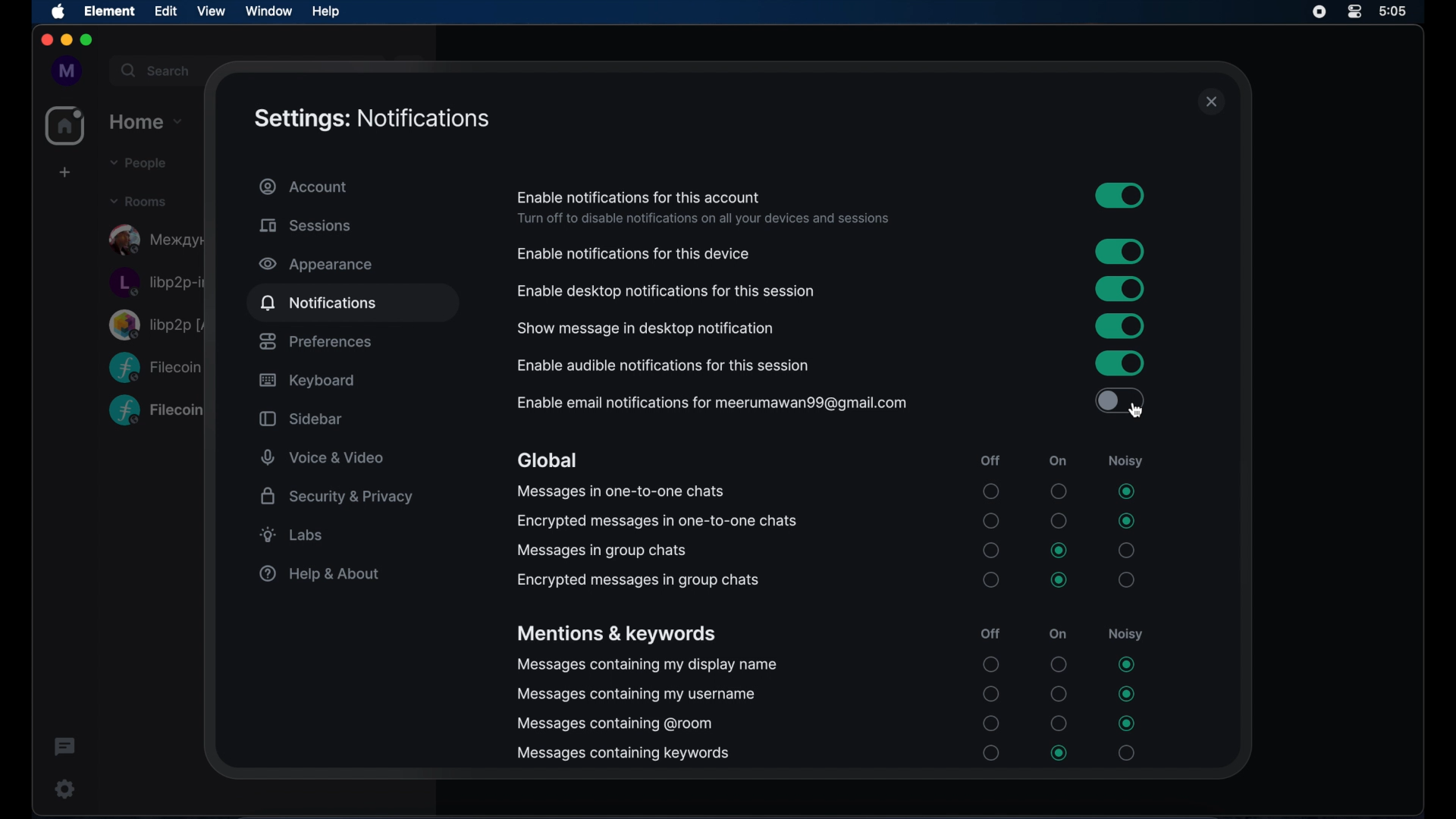 The image size is (1456, 819). Describe the element at coordinates (991, 550) in the screenshot. I see `radio button` at that location.